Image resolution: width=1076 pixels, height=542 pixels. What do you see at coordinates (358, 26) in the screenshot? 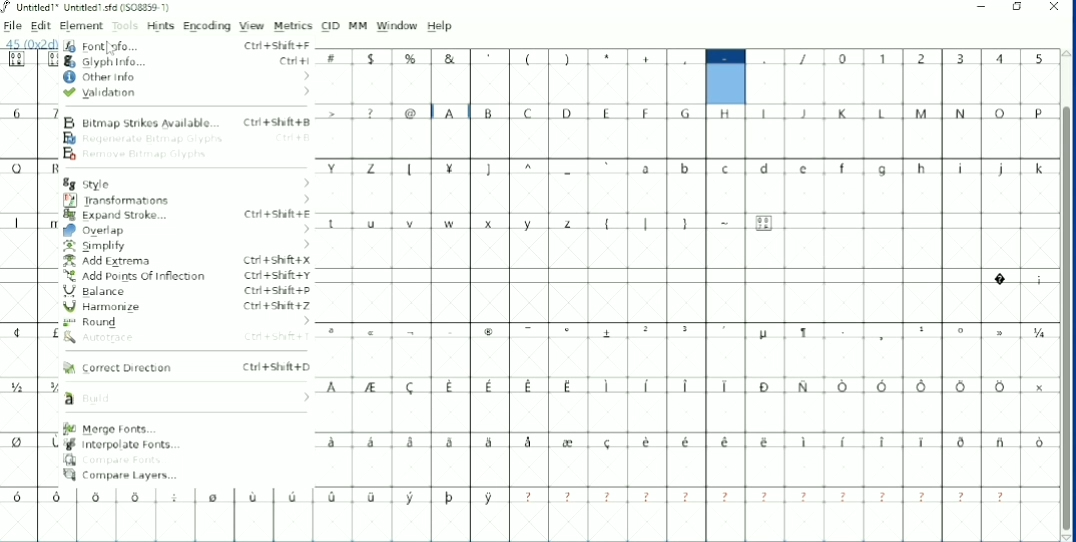
I see `MM` at bounding box center [358, 26].